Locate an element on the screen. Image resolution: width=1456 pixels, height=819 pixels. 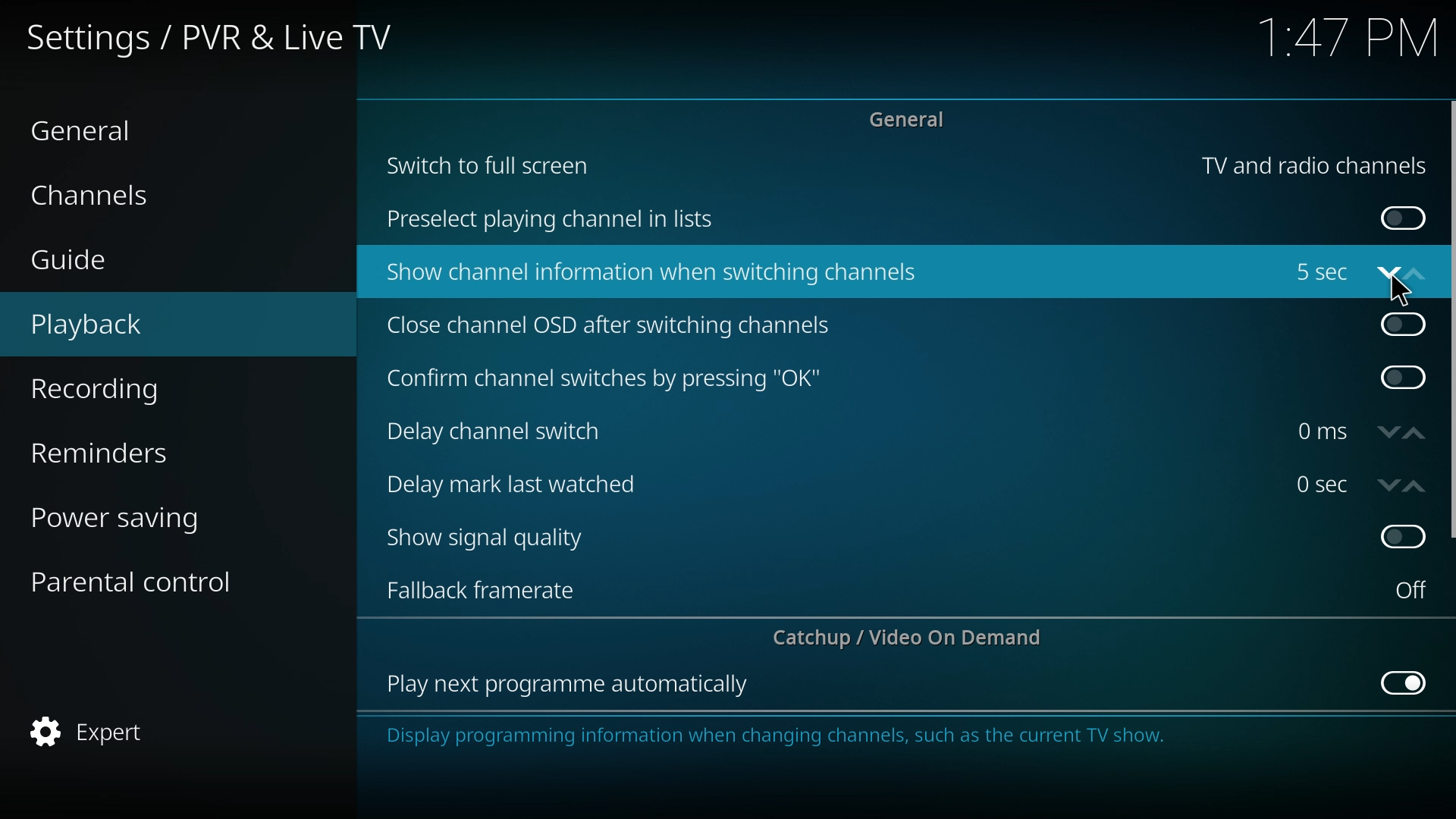
fall back framerate is located at coordinates (492, 588).